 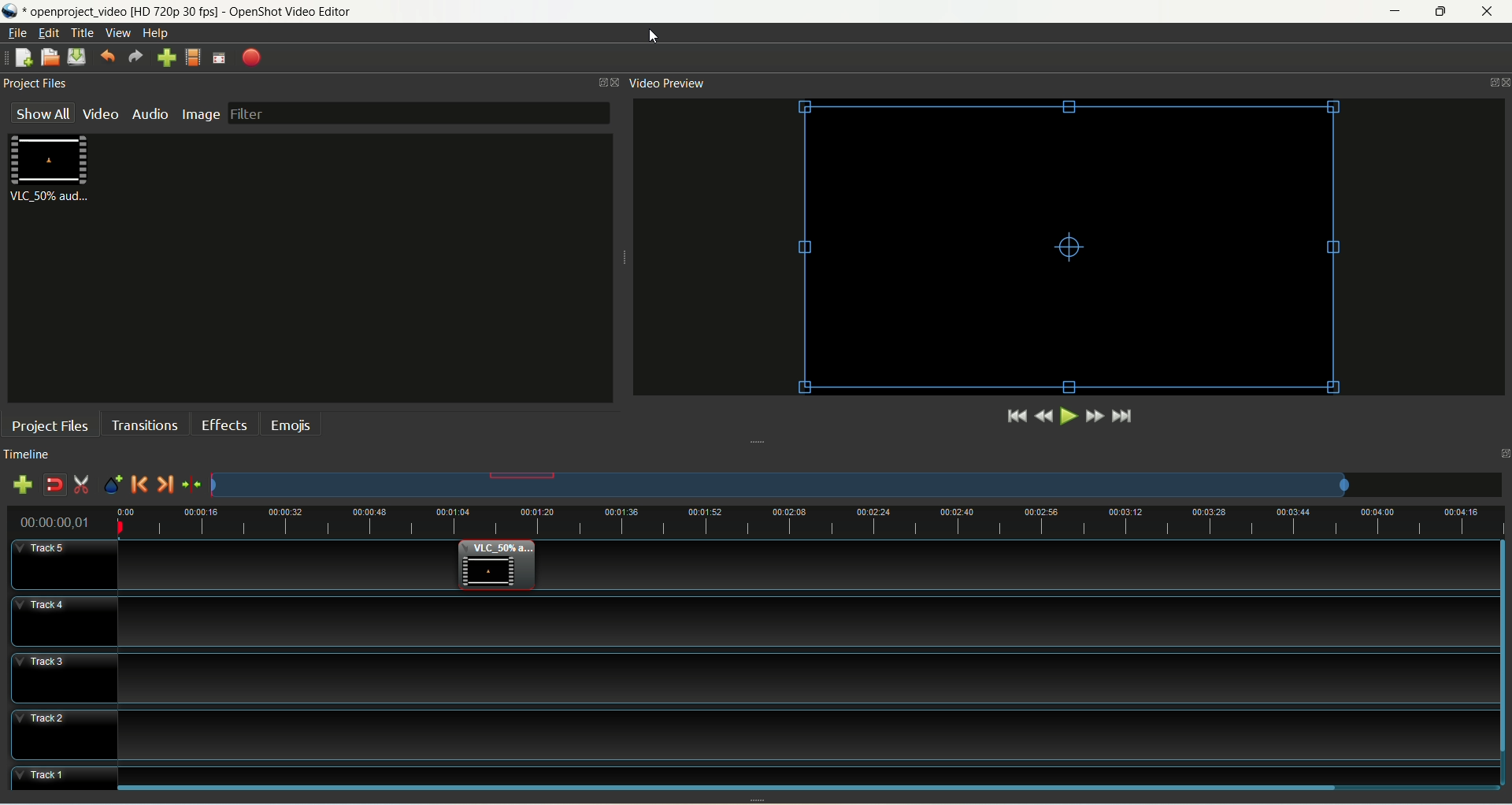 What do you see at coordinates (54, 484) in the screenshot?
I see `disable snapping` at bounding box center [54, 484].